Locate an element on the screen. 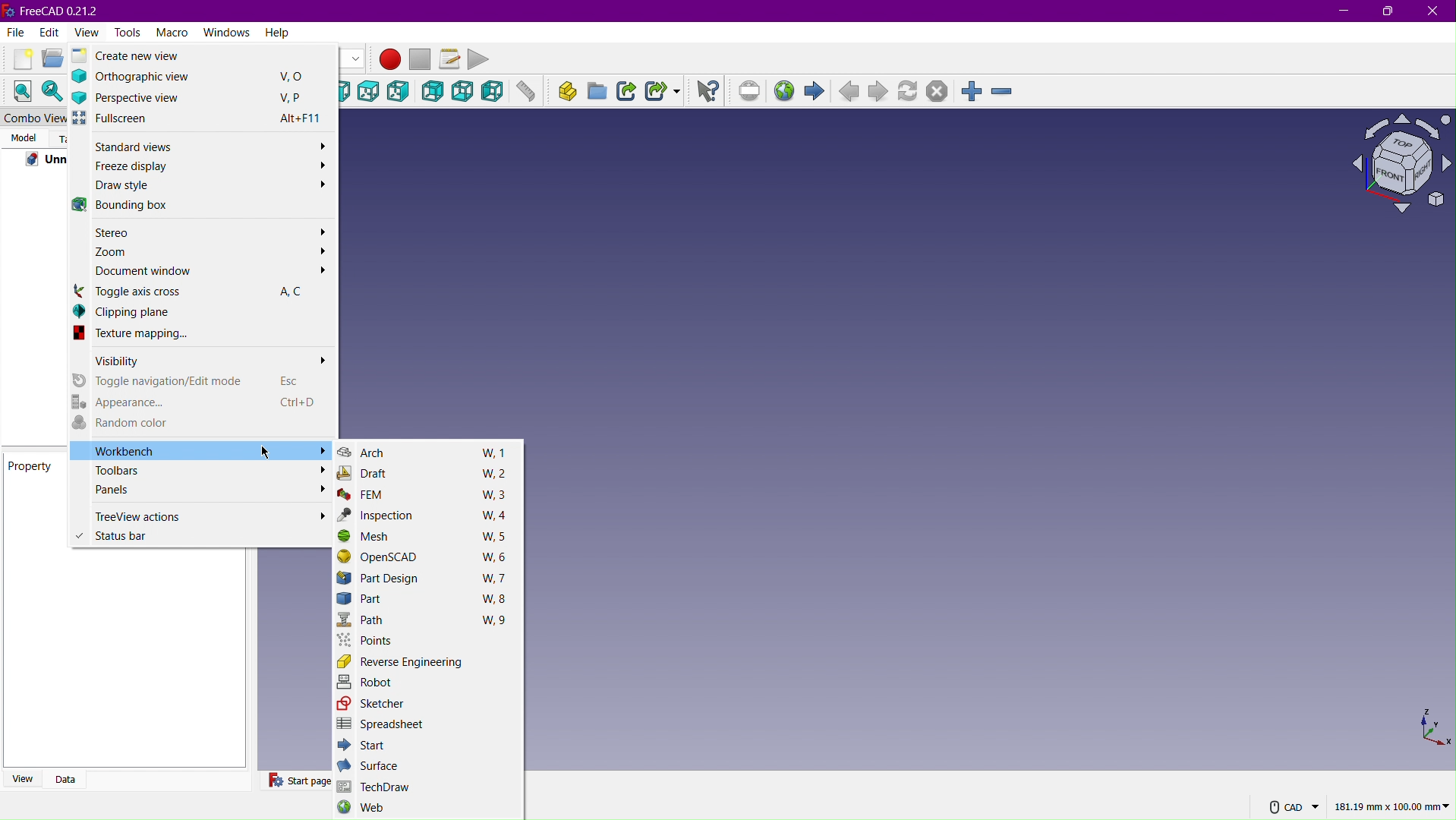 This screenshot has height=820, width=1456. Reverse Engineering is located at coordinates (402, 664).